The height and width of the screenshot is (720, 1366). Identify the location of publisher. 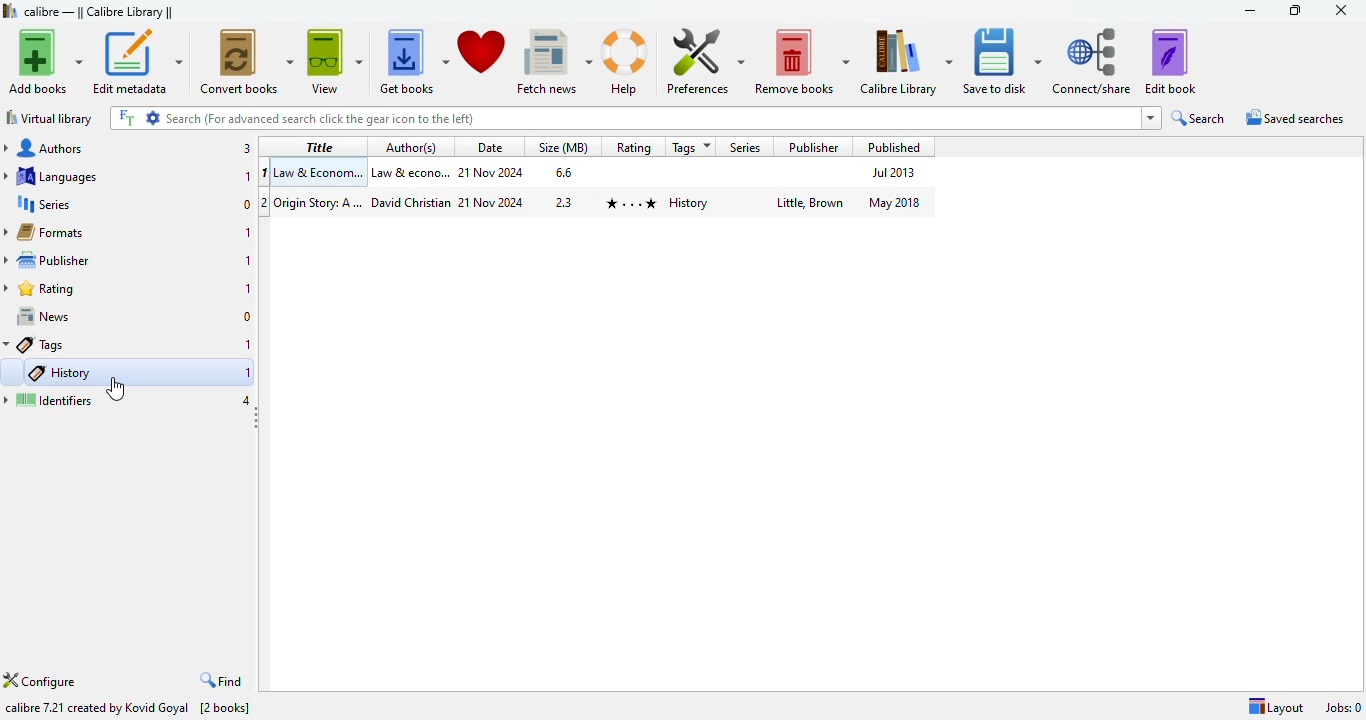
(48, 260).